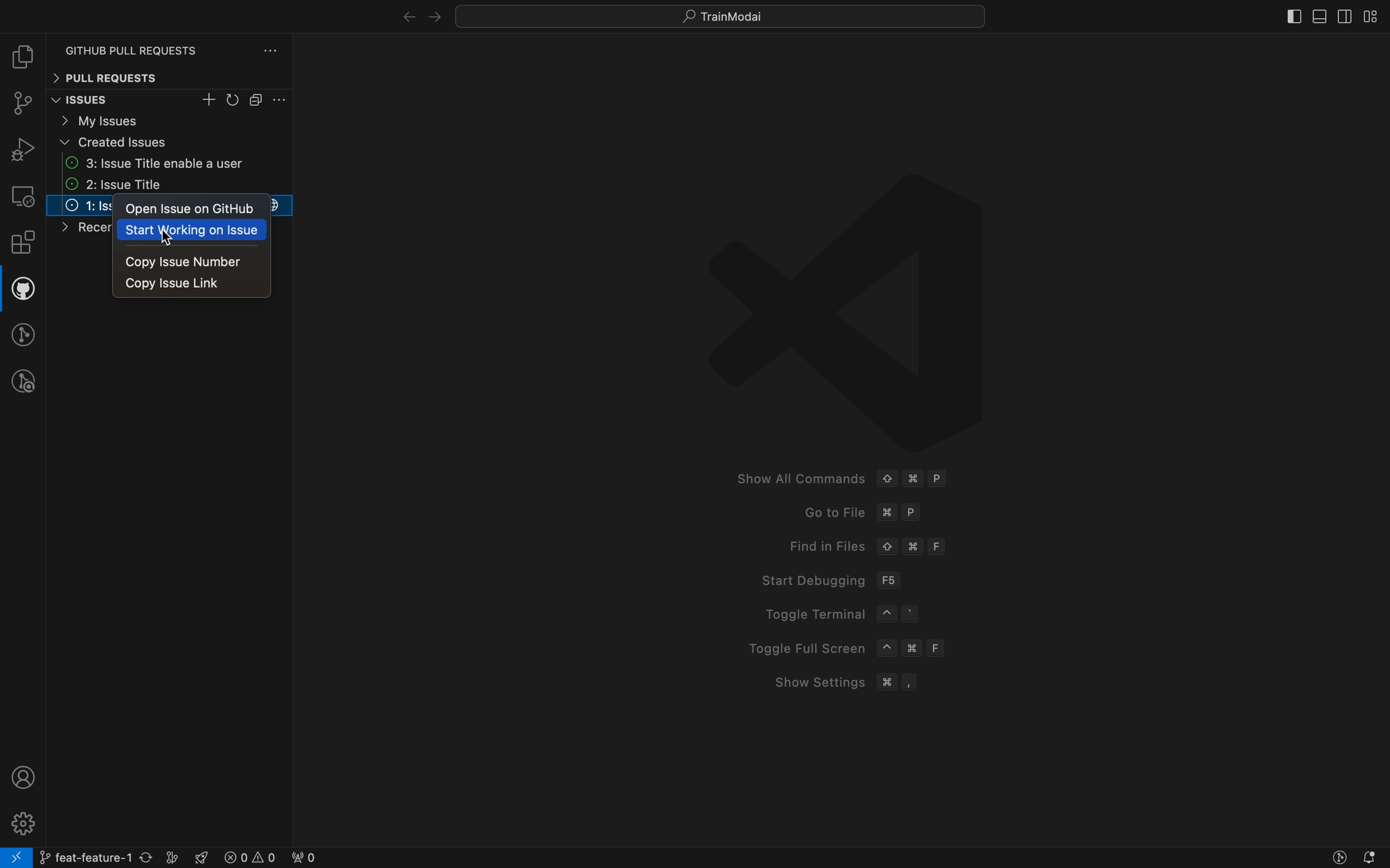 This screenshot has height=868, width=1390. I want to click on error logs, so click(269, 857).